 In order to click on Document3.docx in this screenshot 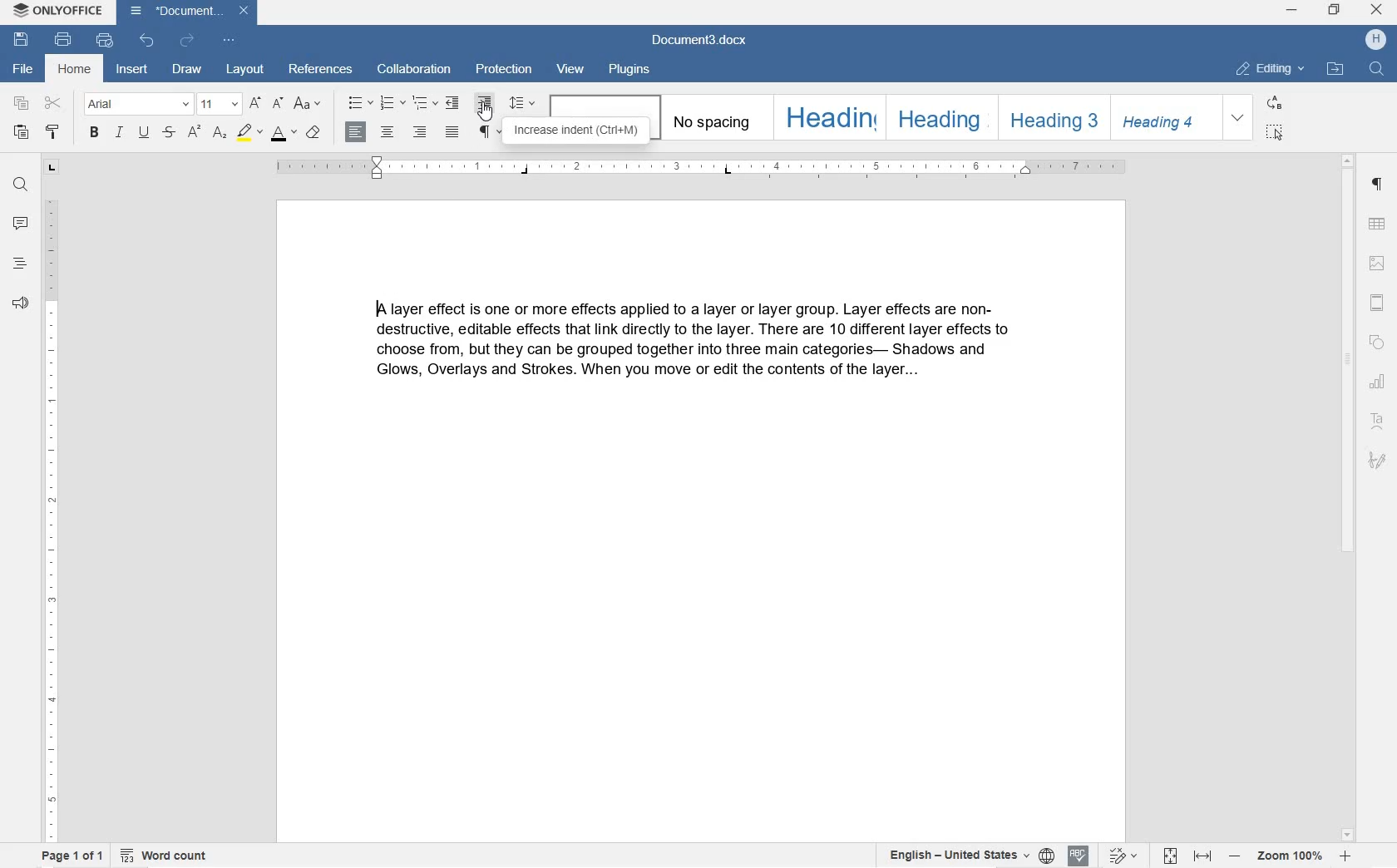, I will do `click(187, 13)`.